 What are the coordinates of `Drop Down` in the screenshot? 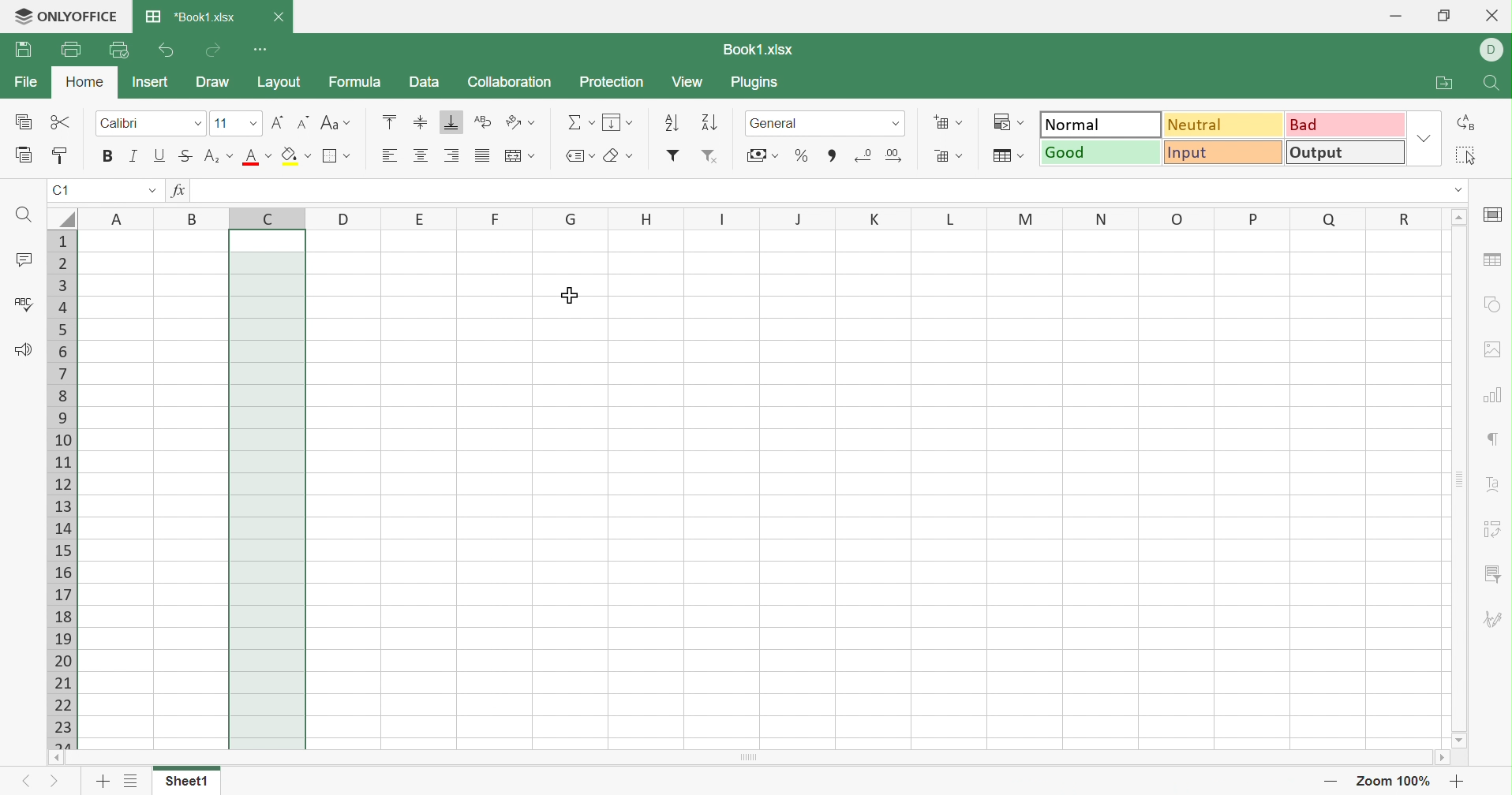 It's located at (1427, 137).